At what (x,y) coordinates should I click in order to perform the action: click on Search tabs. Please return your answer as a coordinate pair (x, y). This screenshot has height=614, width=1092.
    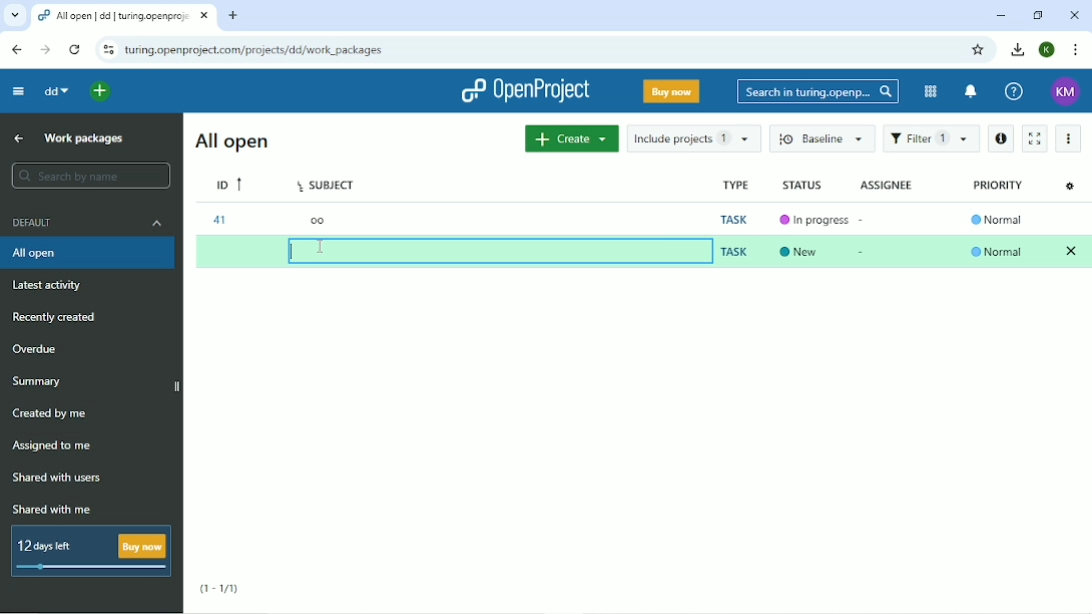
    Looking at the image, I should click on (14, 15).